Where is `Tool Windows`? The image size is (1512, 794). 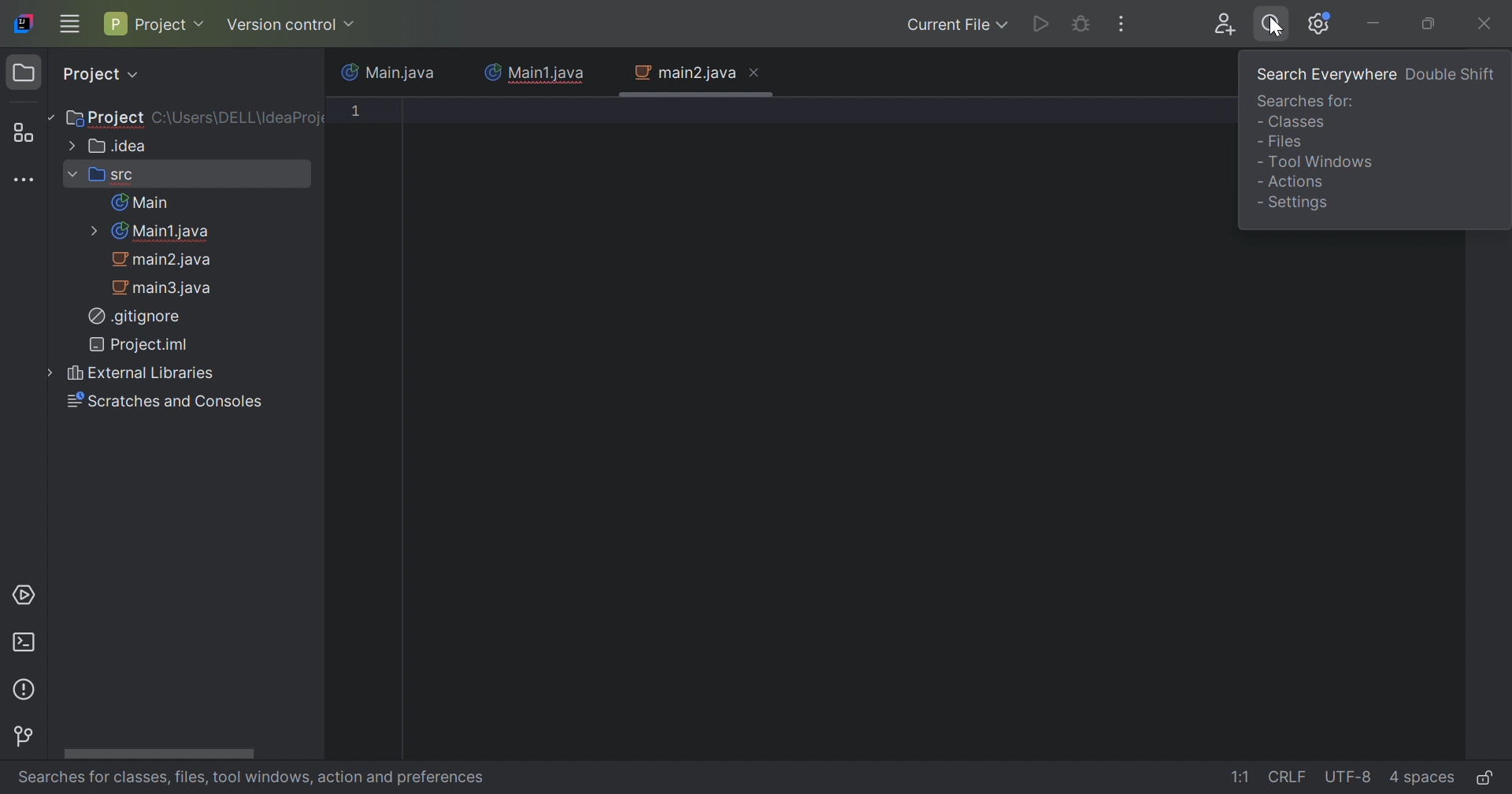
Tool Windows is located at coordinates (1316, 161).